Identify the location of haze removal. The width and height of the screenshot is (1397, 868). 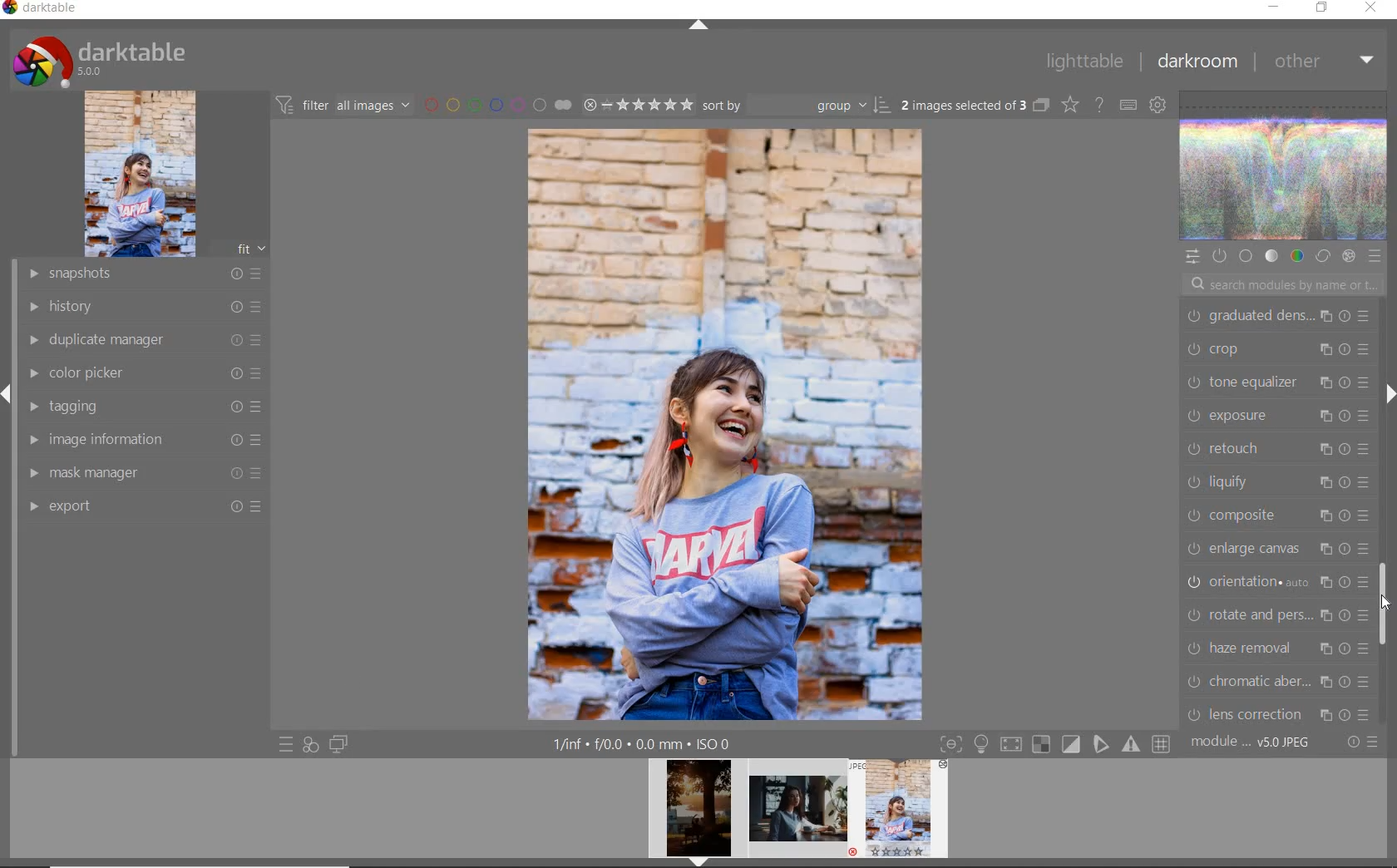
(1276, 649).